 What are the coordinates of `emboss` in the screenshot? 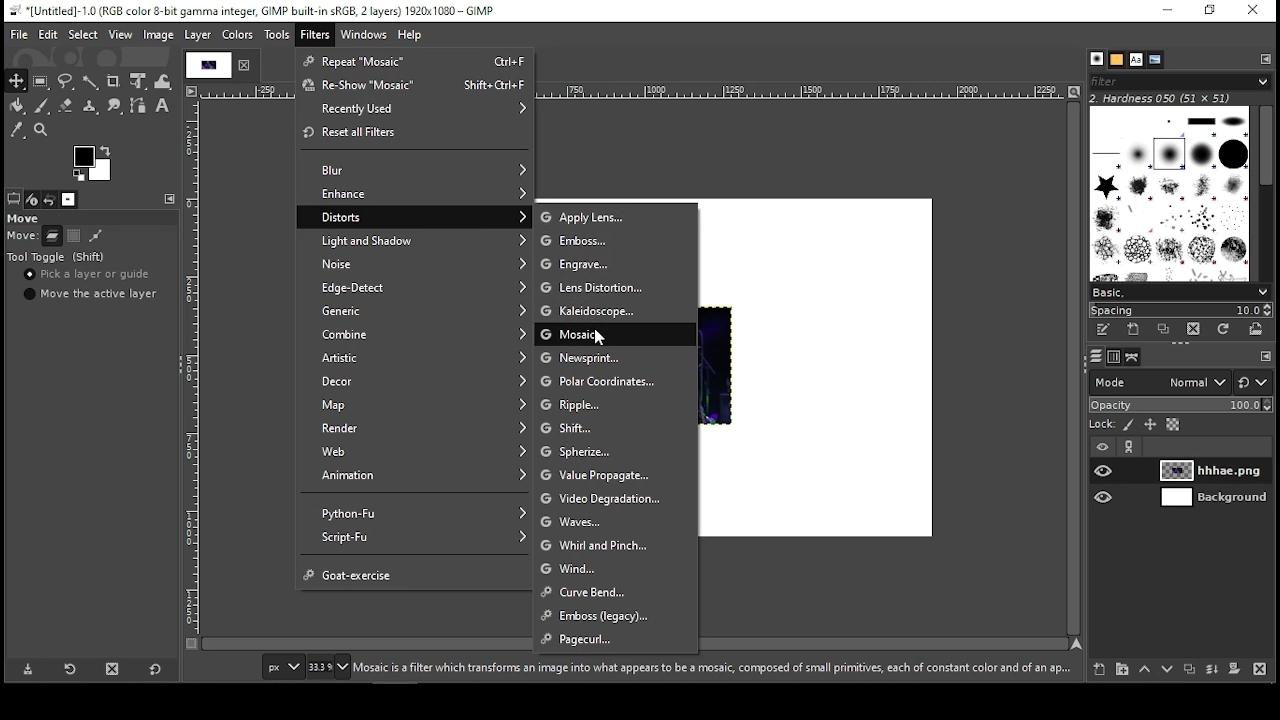 It's located at (616, 241).